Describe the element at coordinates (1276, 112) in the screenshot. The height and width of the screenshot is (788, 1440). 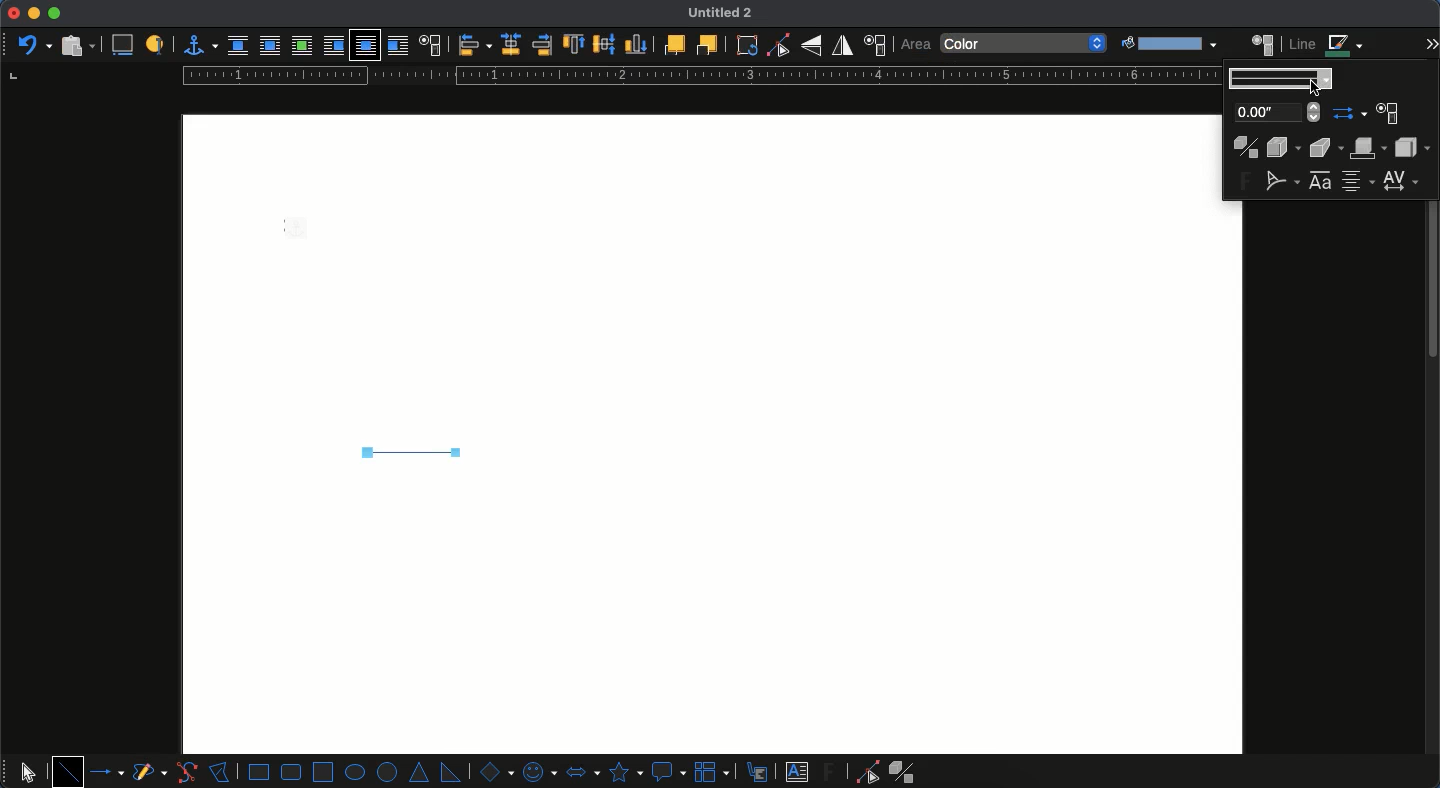
I see `thickness` at that location.